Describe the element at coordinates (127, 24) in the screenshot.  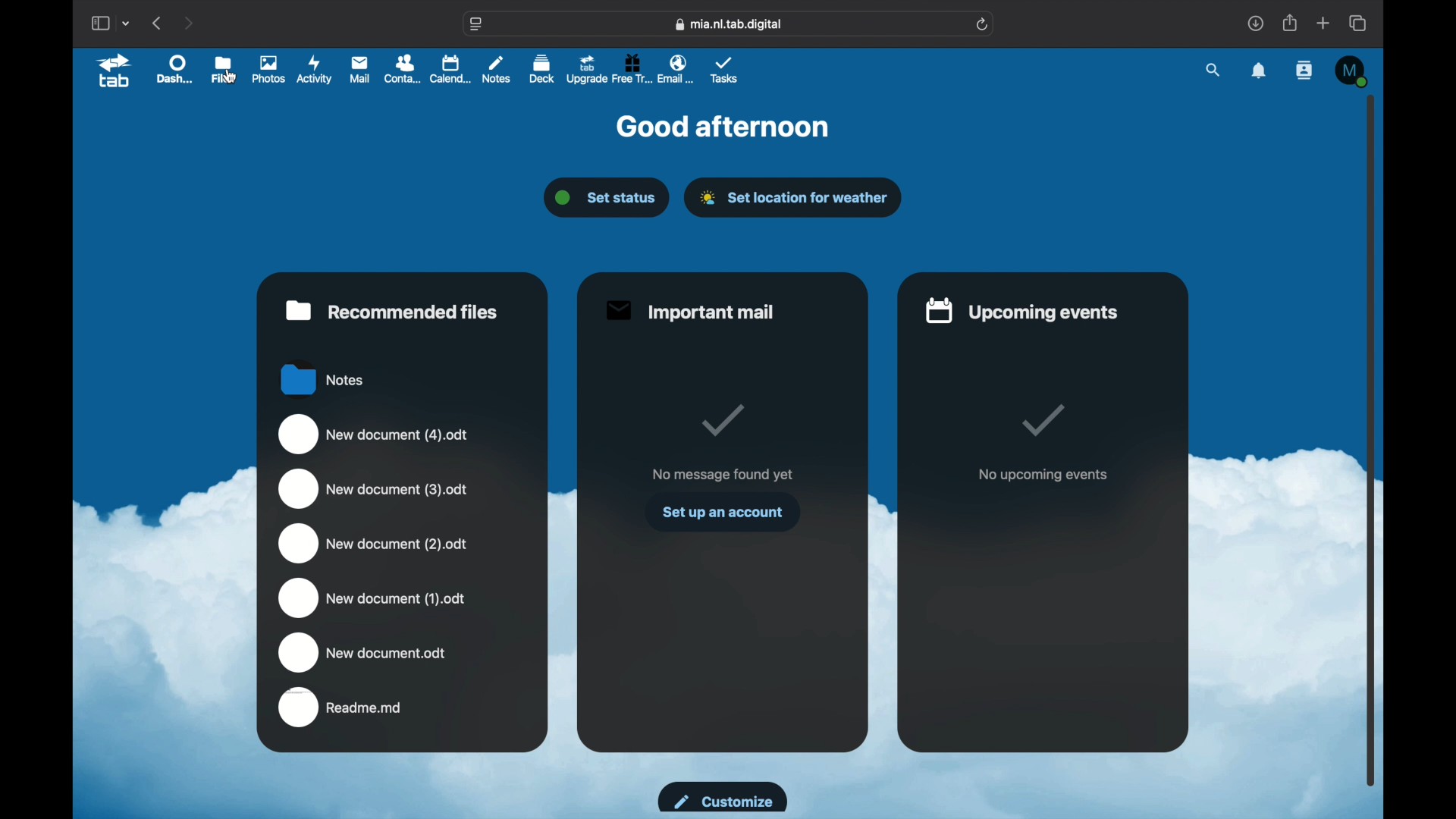
I see `tab group picker` at that location.